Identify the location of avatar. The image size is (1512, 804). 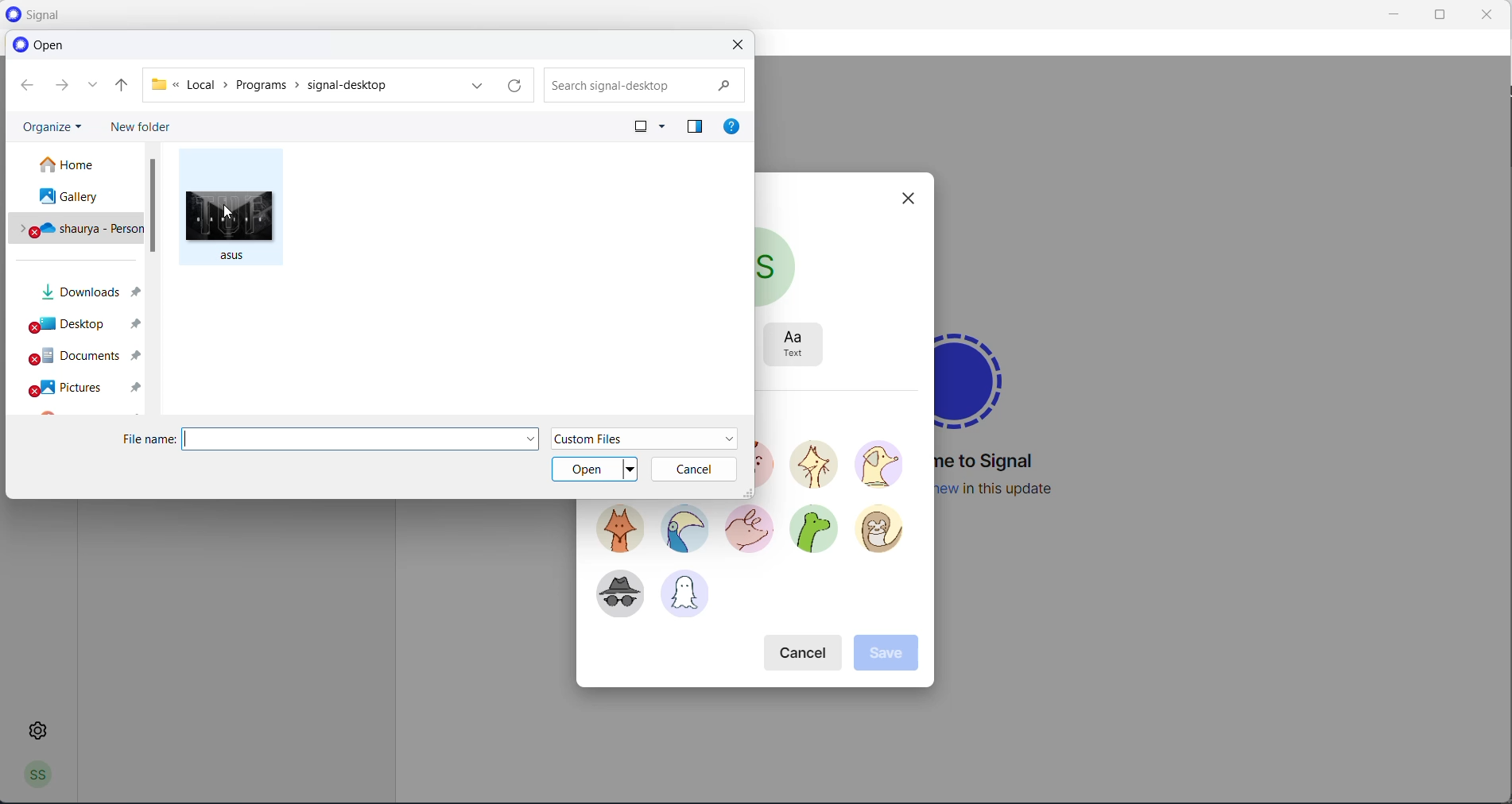
(813, 533).